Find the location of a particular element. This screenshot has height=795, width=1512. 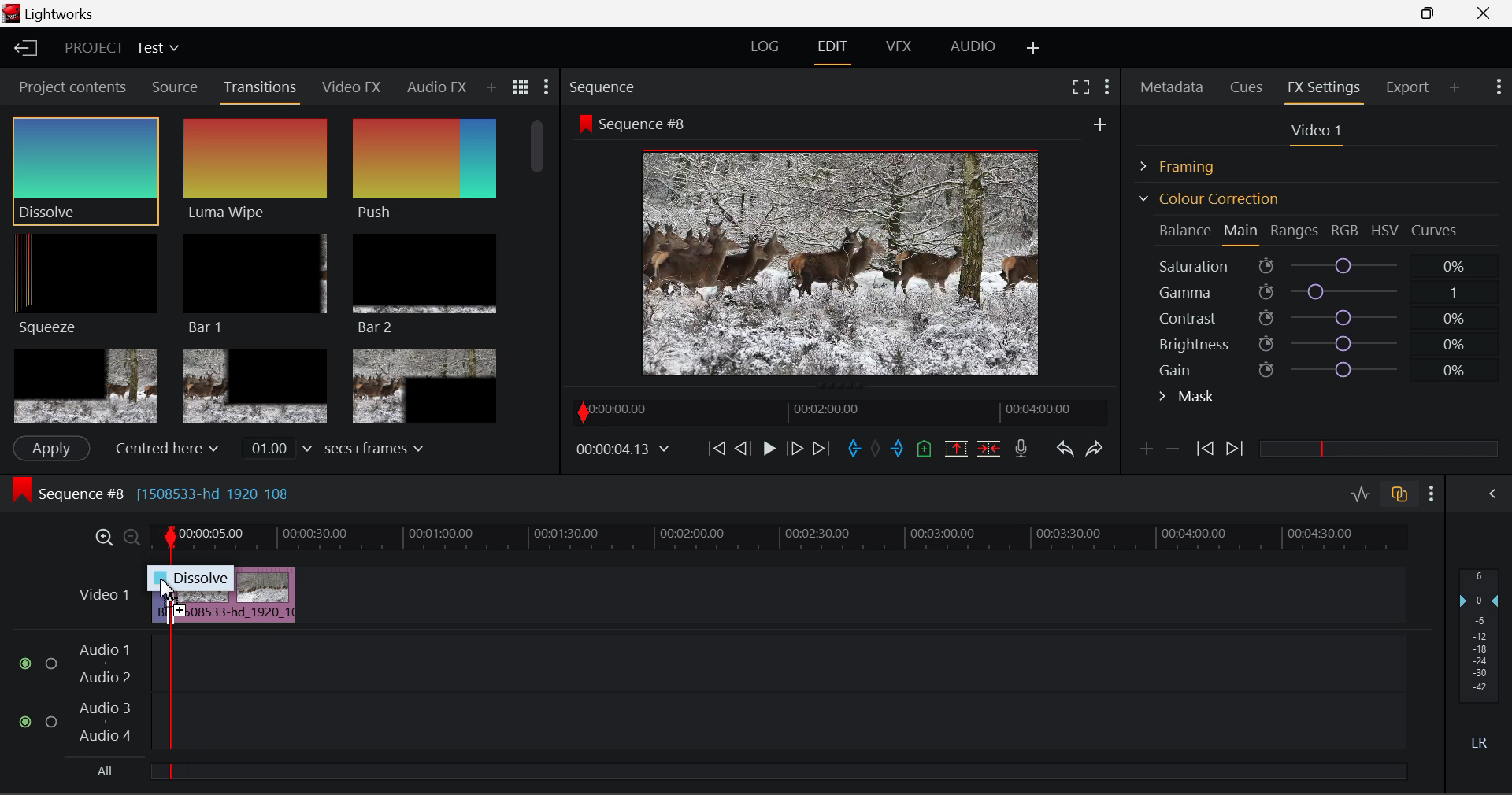

Sequence #8 is located at coordinates (173, 490).